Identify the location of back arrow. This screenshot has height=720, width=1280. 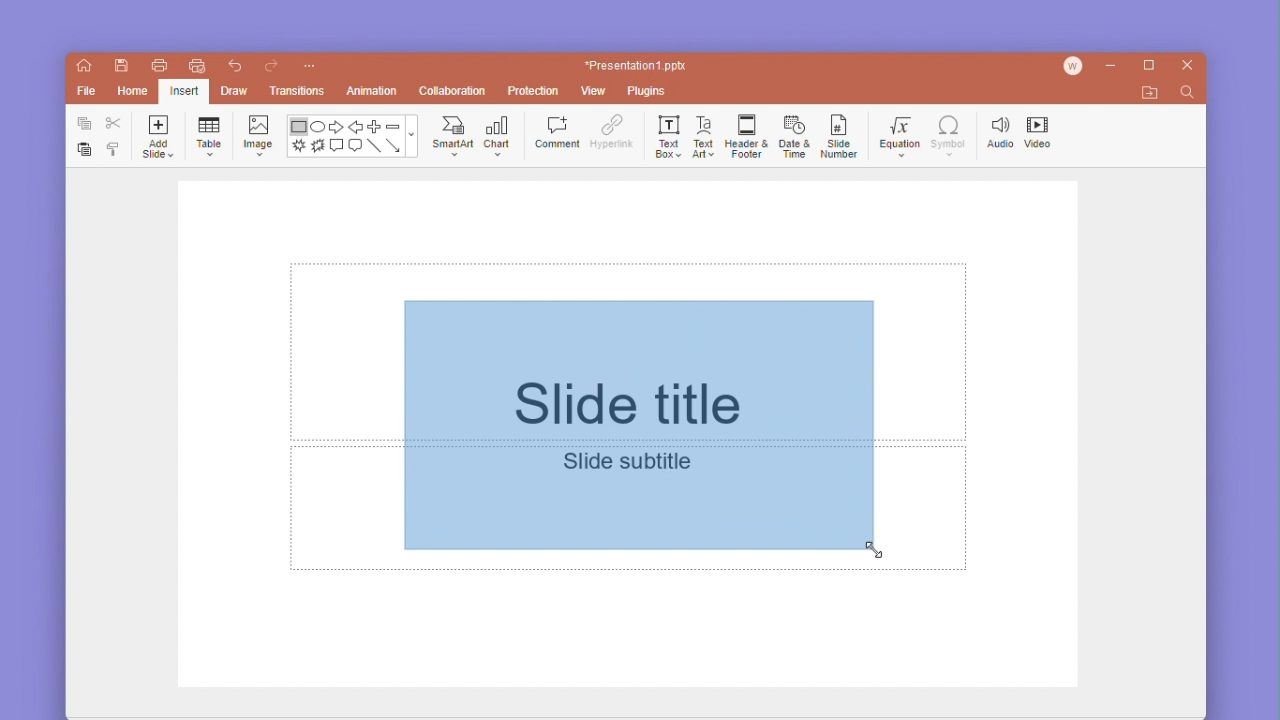
(354, 125).